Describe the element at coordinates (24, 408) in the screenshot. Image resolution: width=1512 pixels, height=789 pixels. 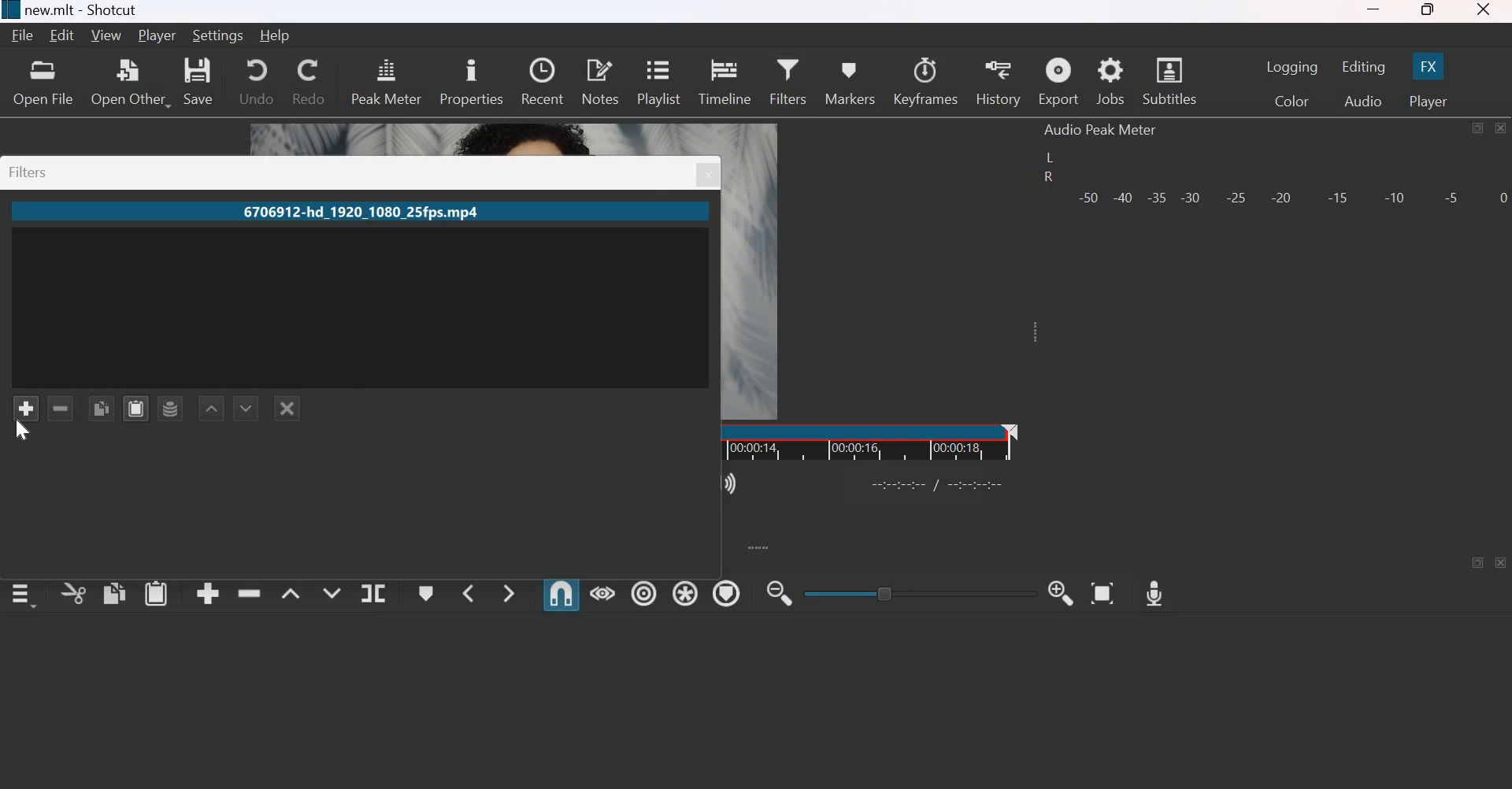
I see `Add a filter` at that location.